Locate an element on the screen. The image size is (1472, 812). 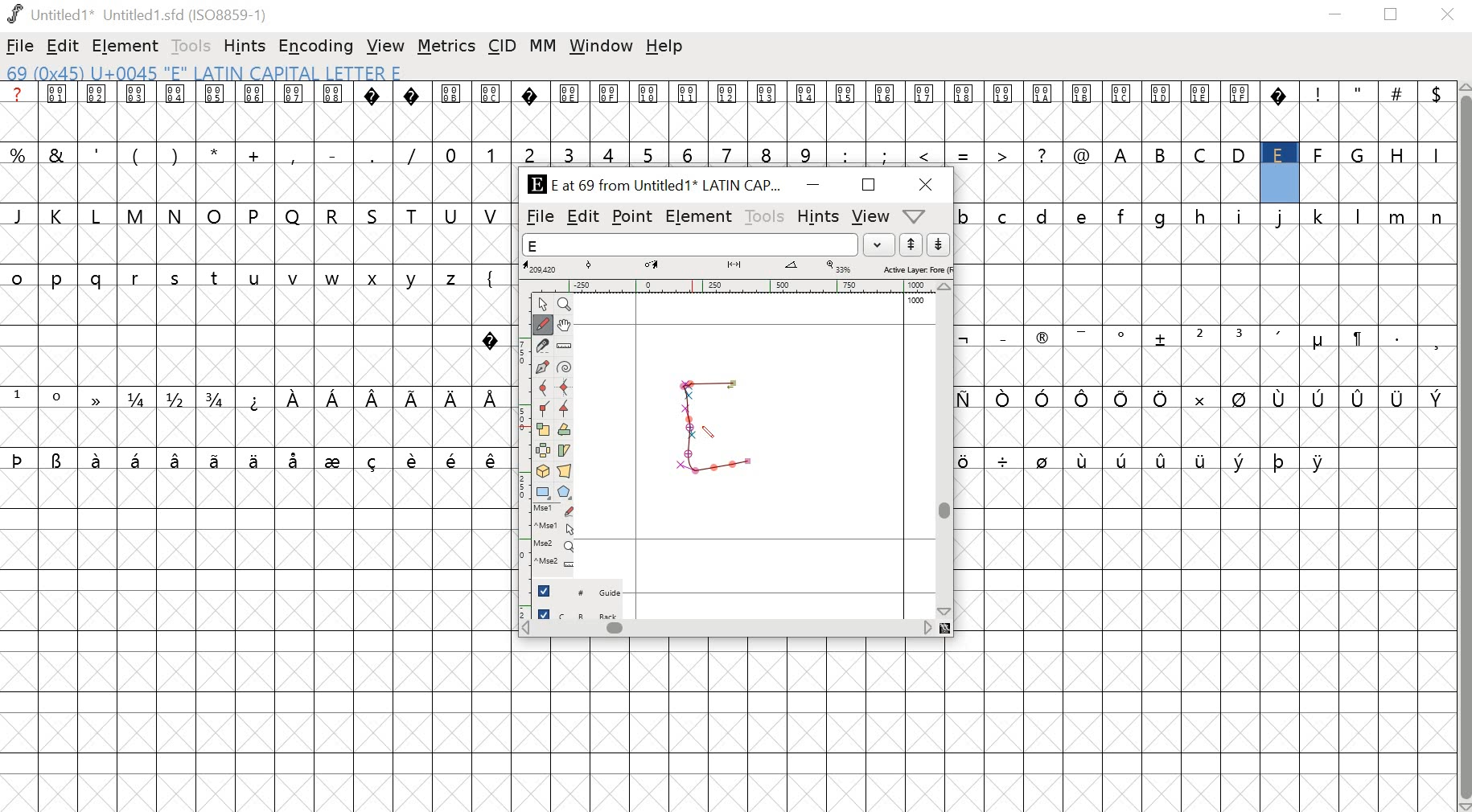
empty cells is located at coordinates (257, 184).